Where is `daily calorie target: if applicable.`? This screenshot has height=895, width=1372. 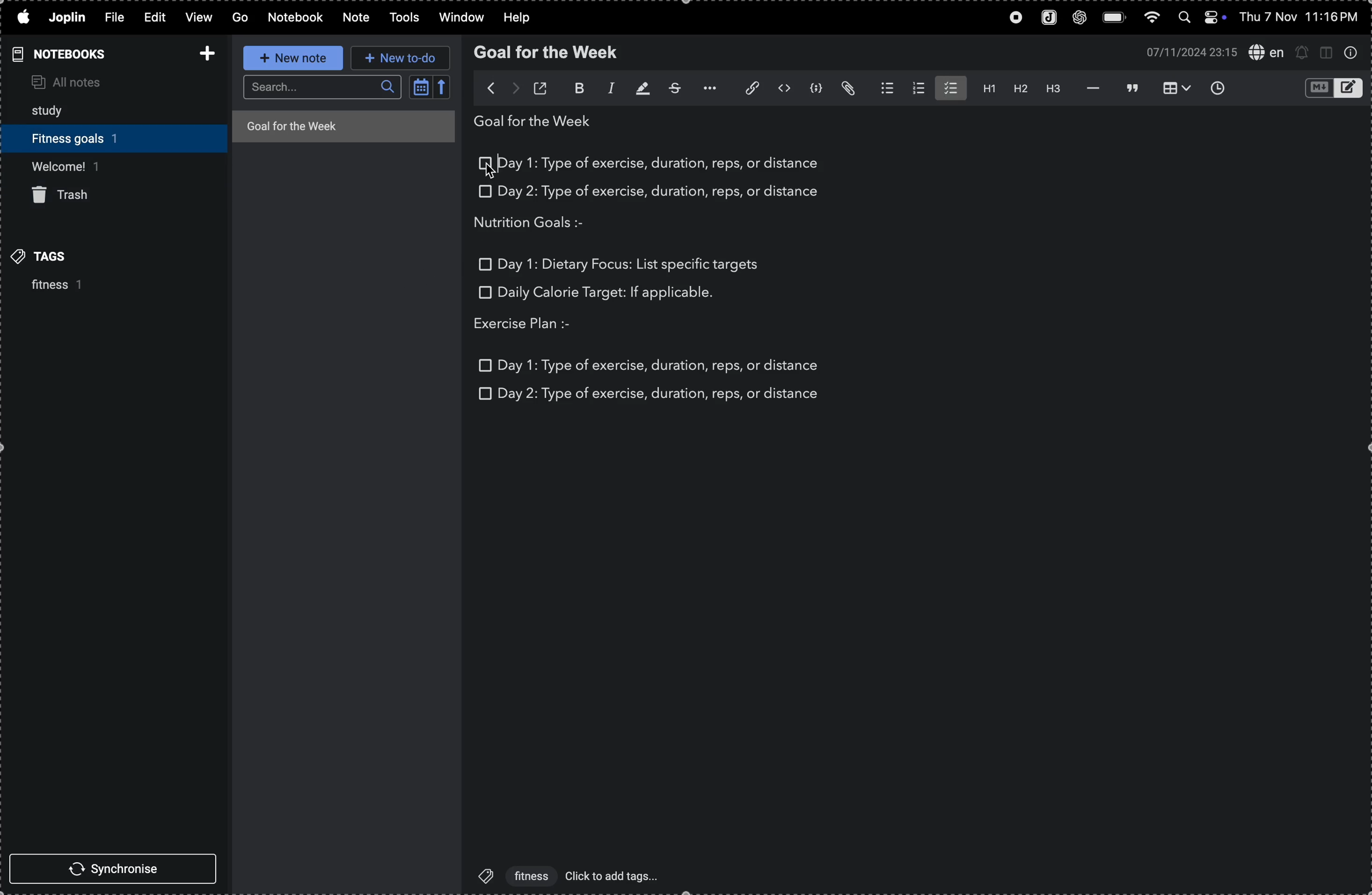
daily calorie target: if applicable. is located at coordinates (606, 295).